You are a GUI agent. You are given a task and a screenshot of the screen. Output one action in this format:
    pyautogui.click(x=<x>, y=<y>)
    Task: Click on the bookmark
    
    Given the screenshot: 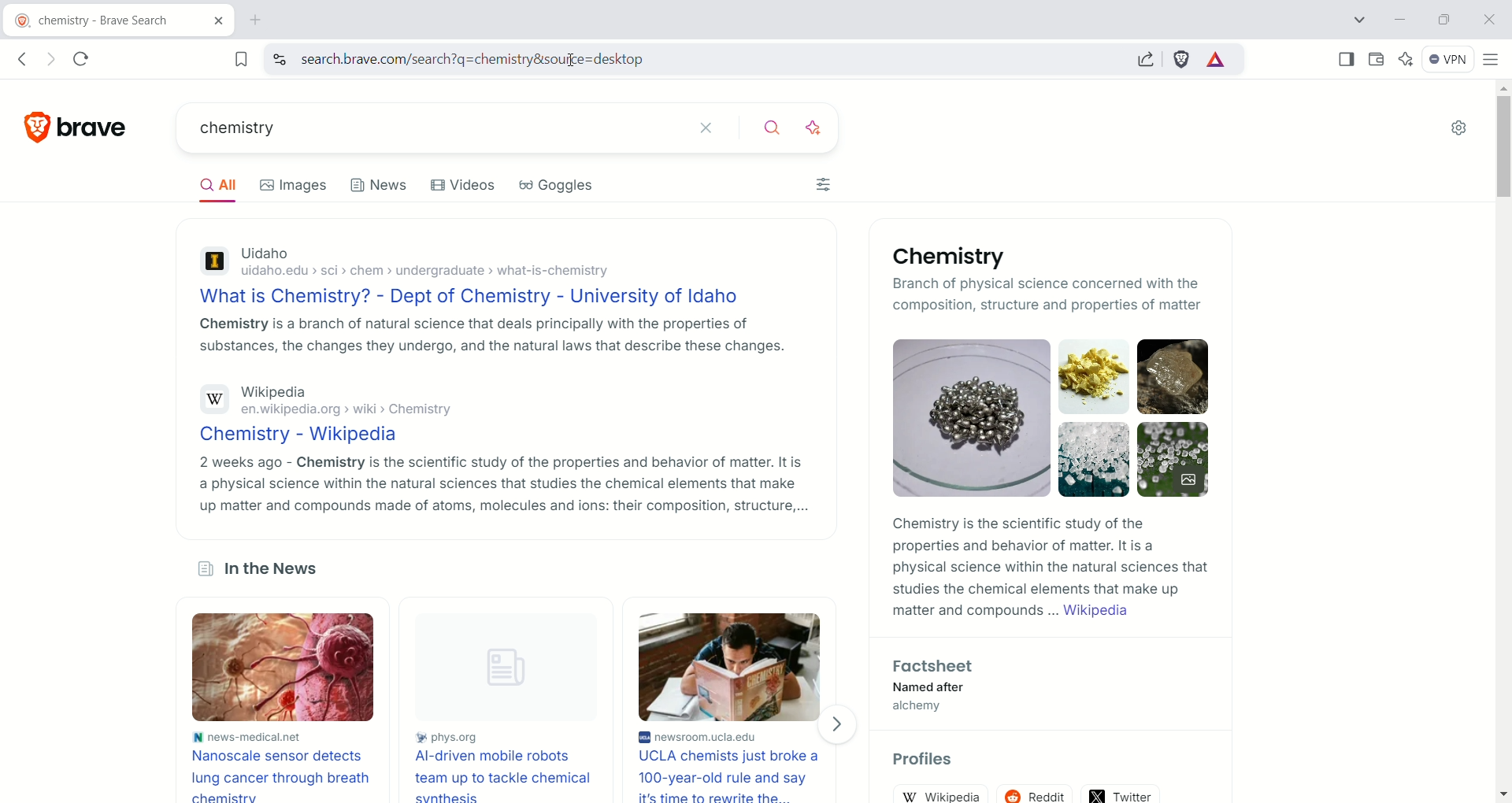 What is the action you would take?
    pyautogui.click(x=233, y=59)
    